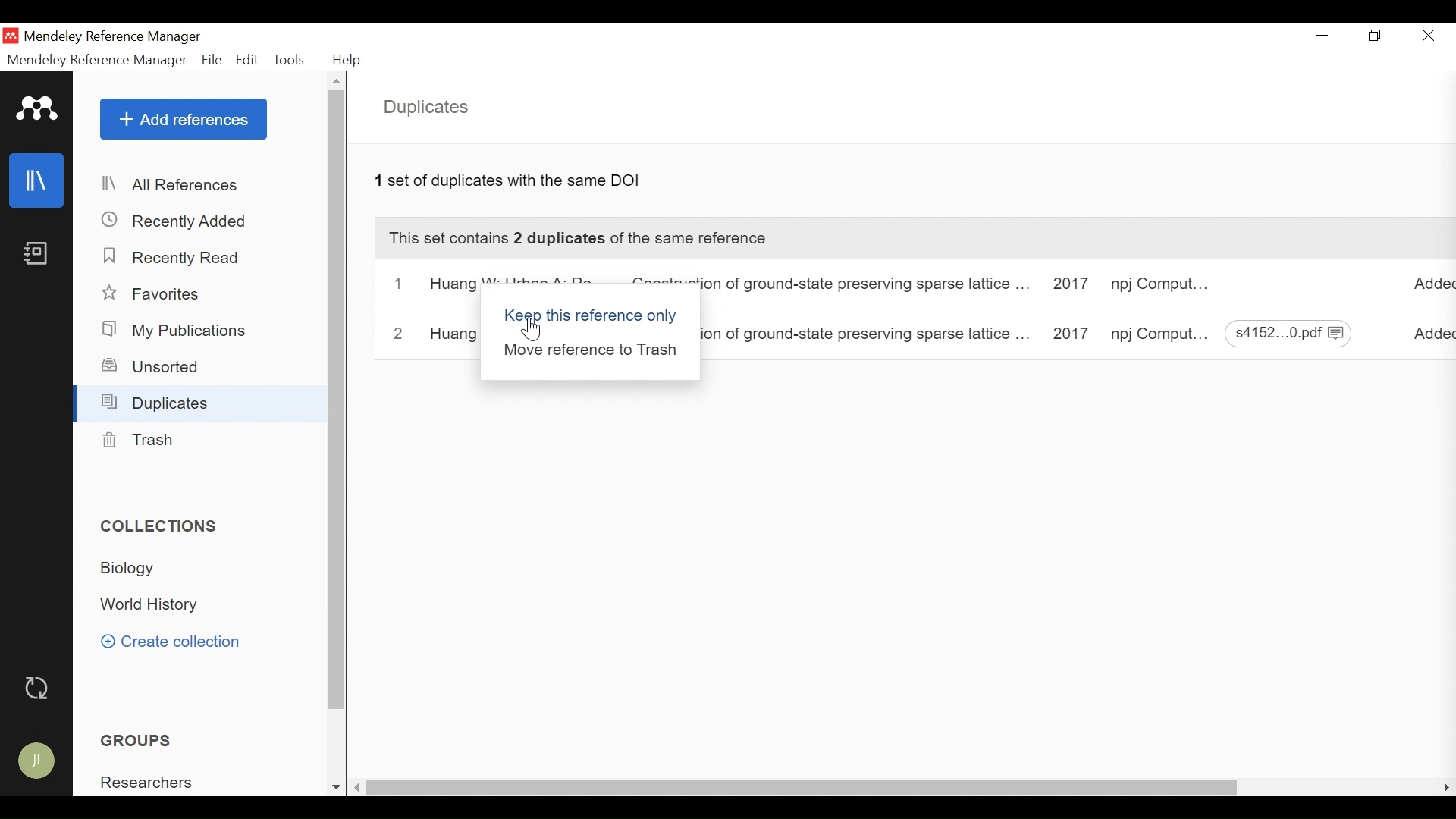 Image resolution: width=1456 pixels, height=819 pixels. Describe the element at coordinates (184, 120) in the screenshot. I see `Add References` at that location.